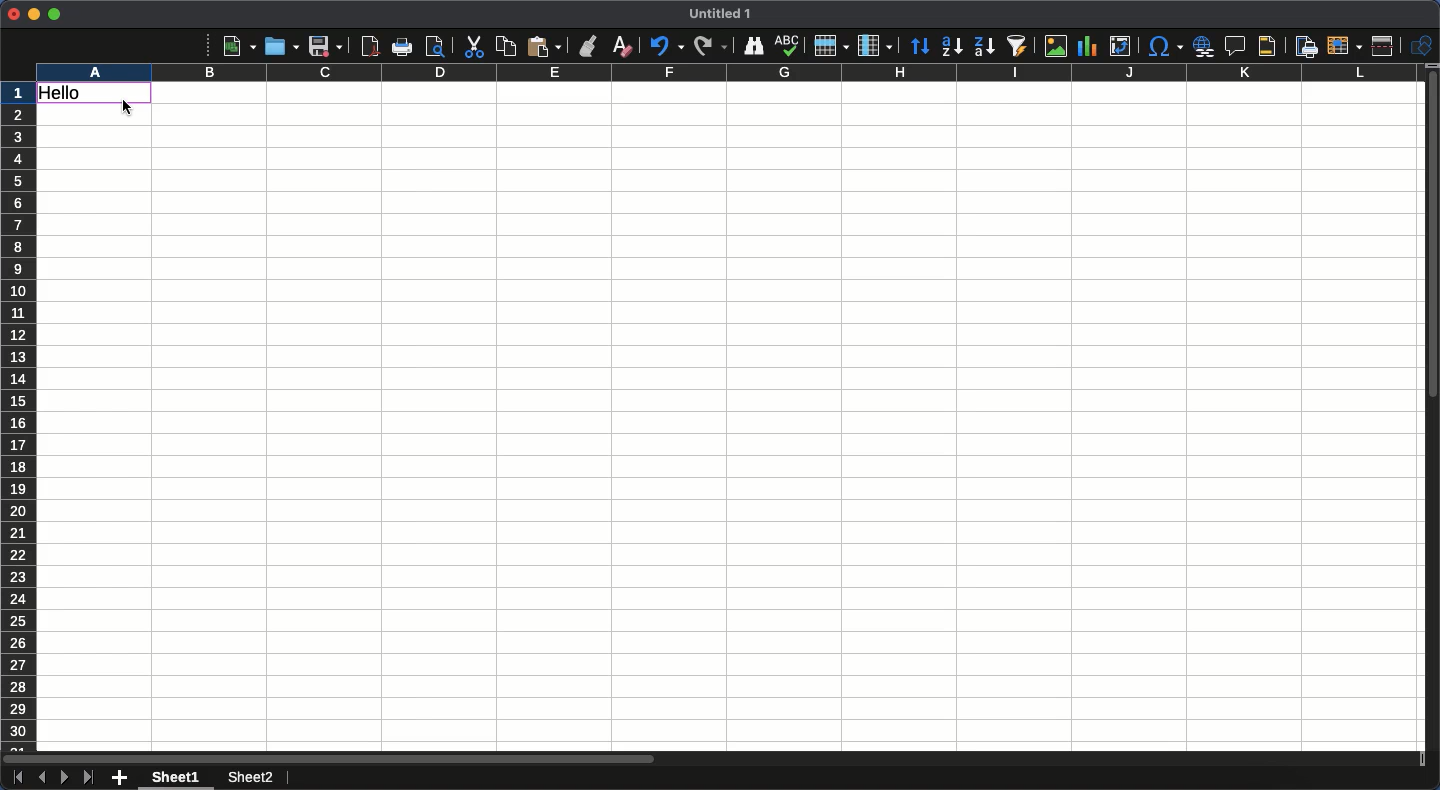 The width and height of the screenshot is (1440, 790). What do you see at coordinates (41, 777) in the screenshot?
I see `Previous sheet` at bounding box center [41, 777].